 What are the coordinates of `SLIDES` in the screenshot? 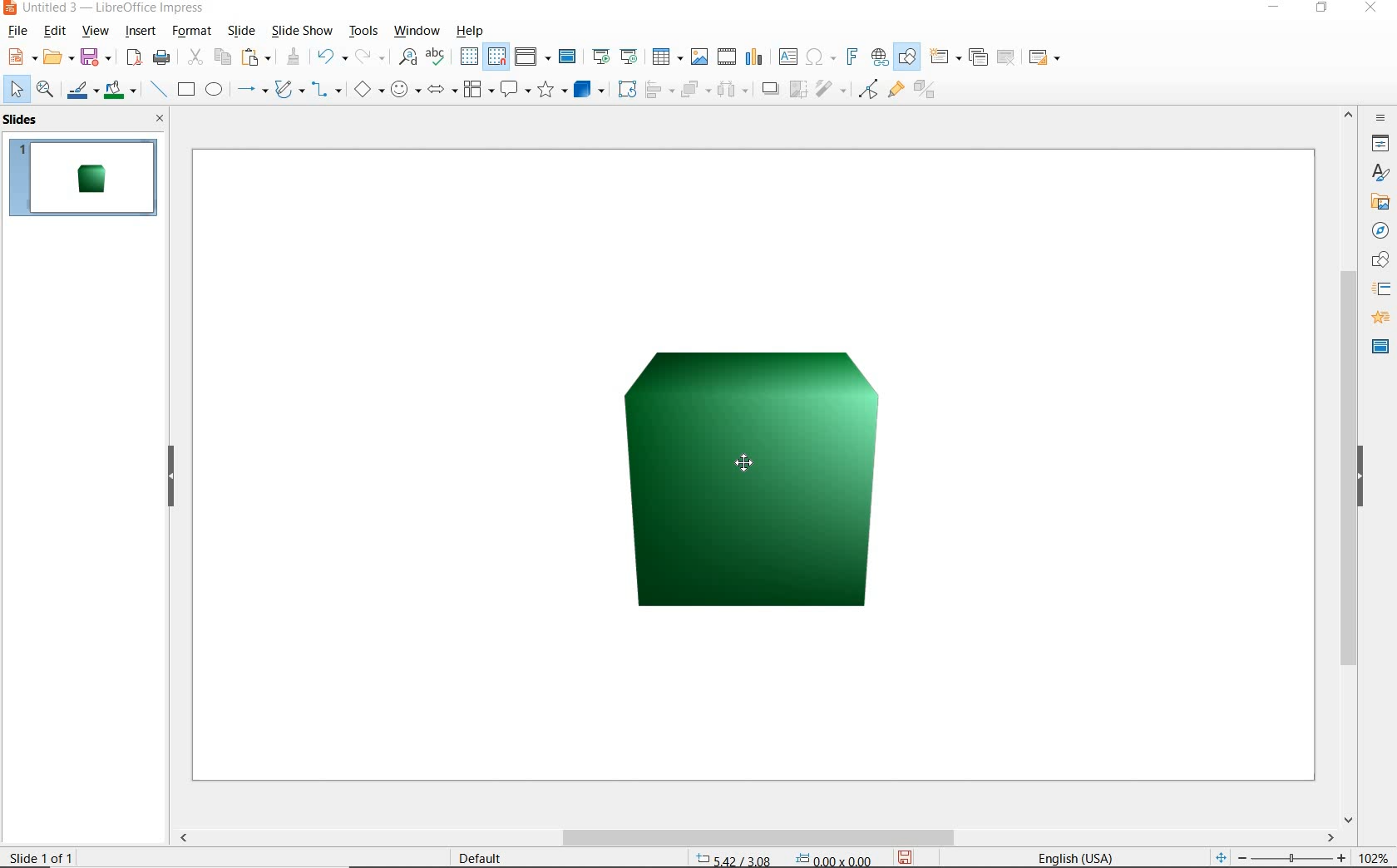 It's located at (26, 121).